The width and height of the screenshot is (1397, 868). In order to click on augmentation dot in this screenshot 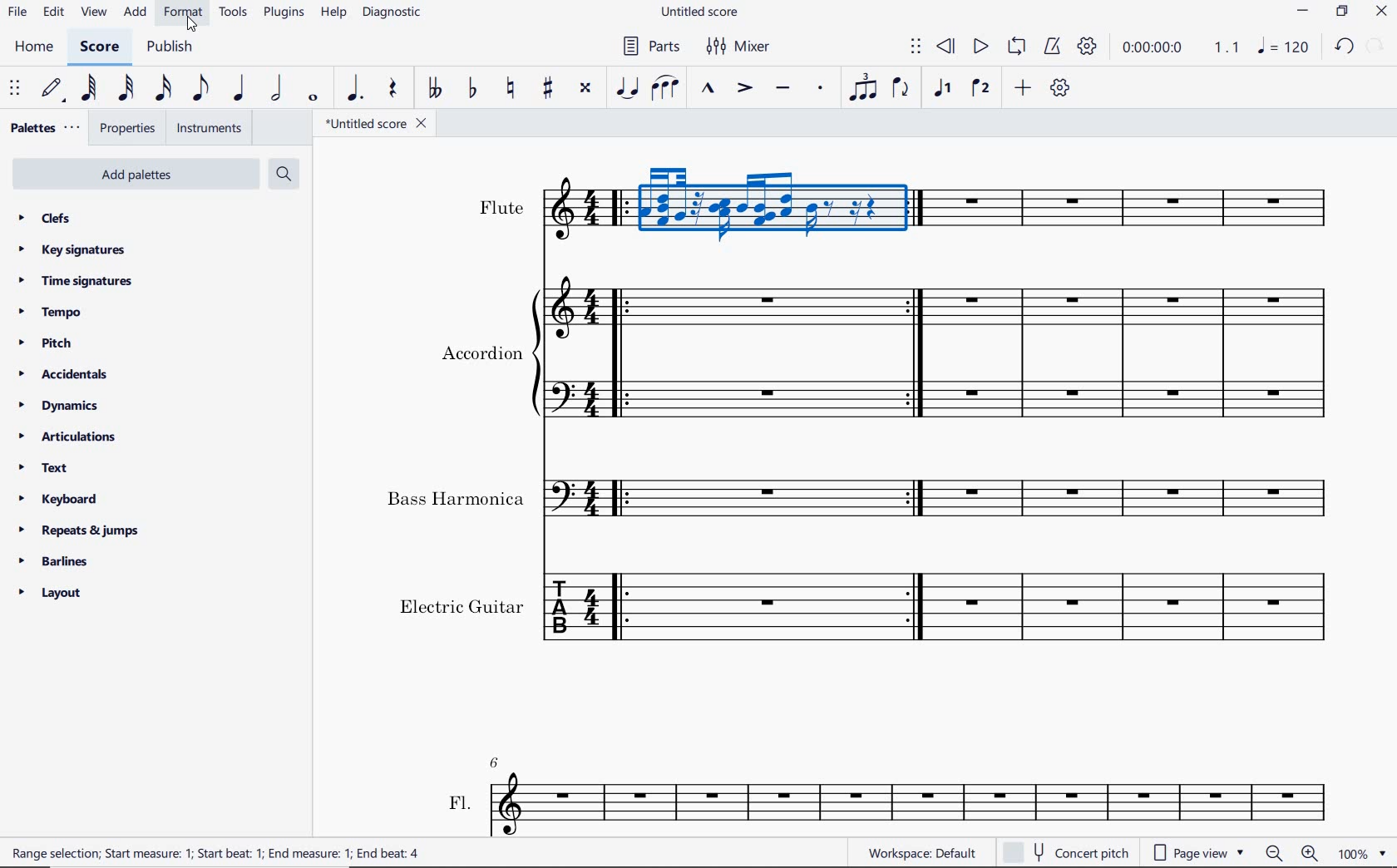, I will do `click(353, 89)`.